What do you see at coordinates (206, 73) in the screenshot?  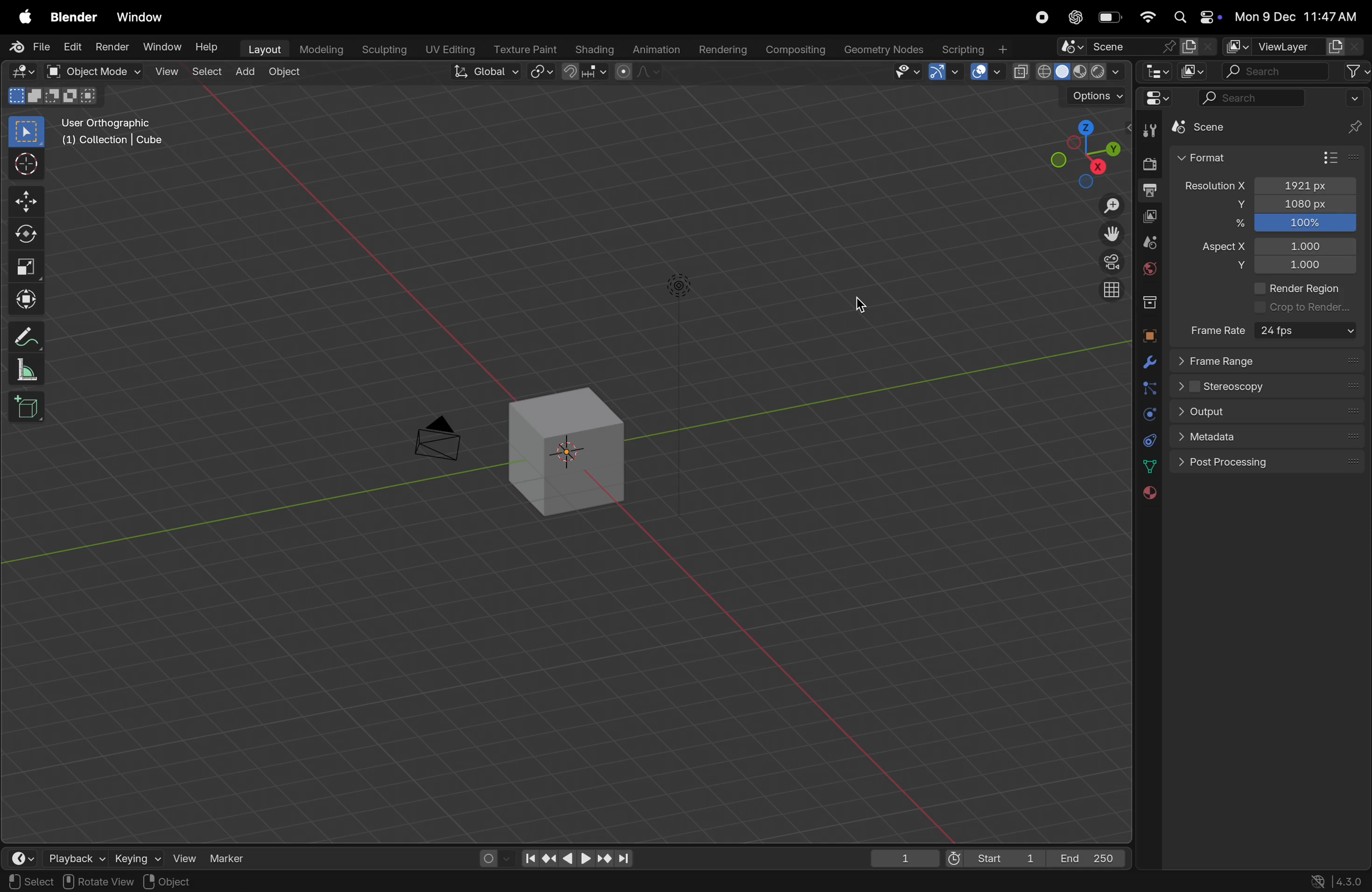 I see `select` at bounding box center [206, 73].